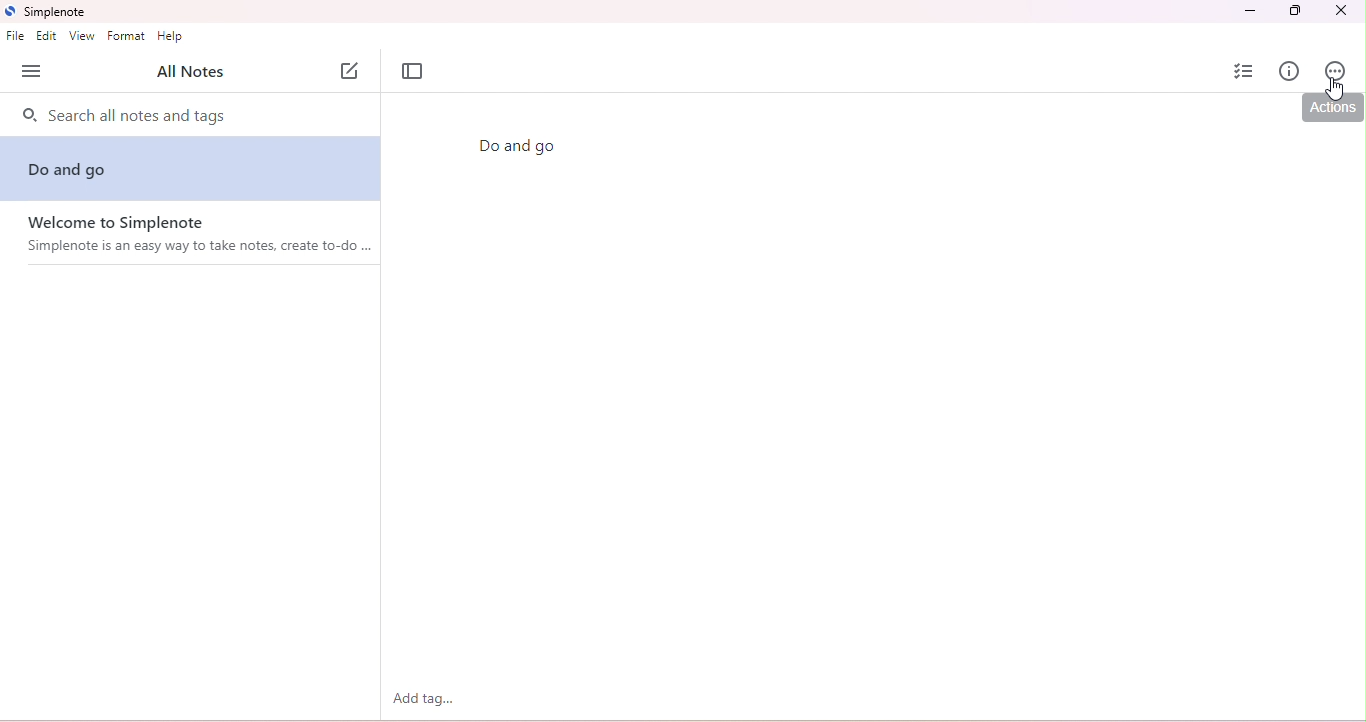  Describe the element at coordinates (1295, 11) in the screenshot. I see `maximize` at that location.